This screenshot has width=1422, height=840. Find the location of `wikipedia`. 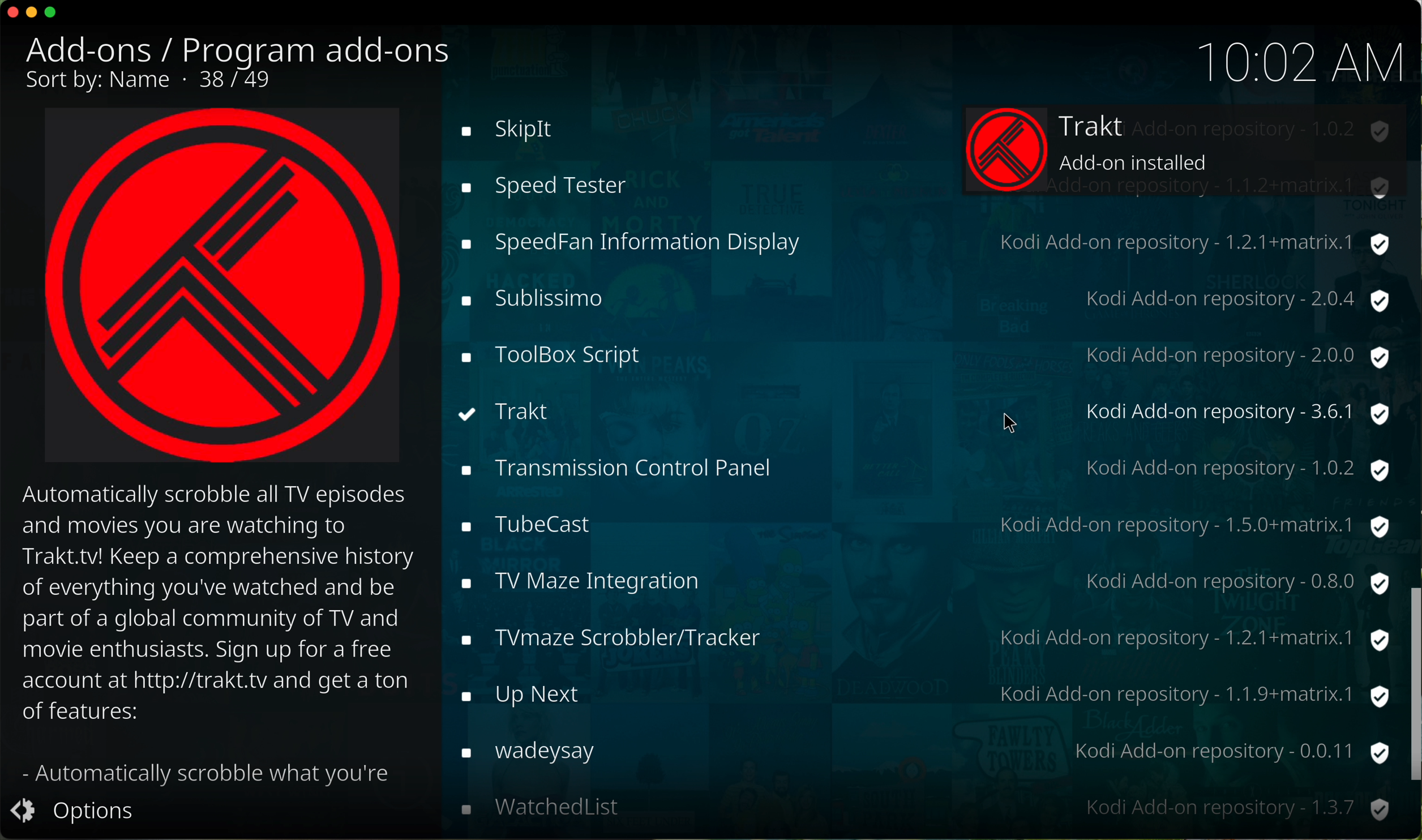

wikipedia is located at coordinates (922, 751).